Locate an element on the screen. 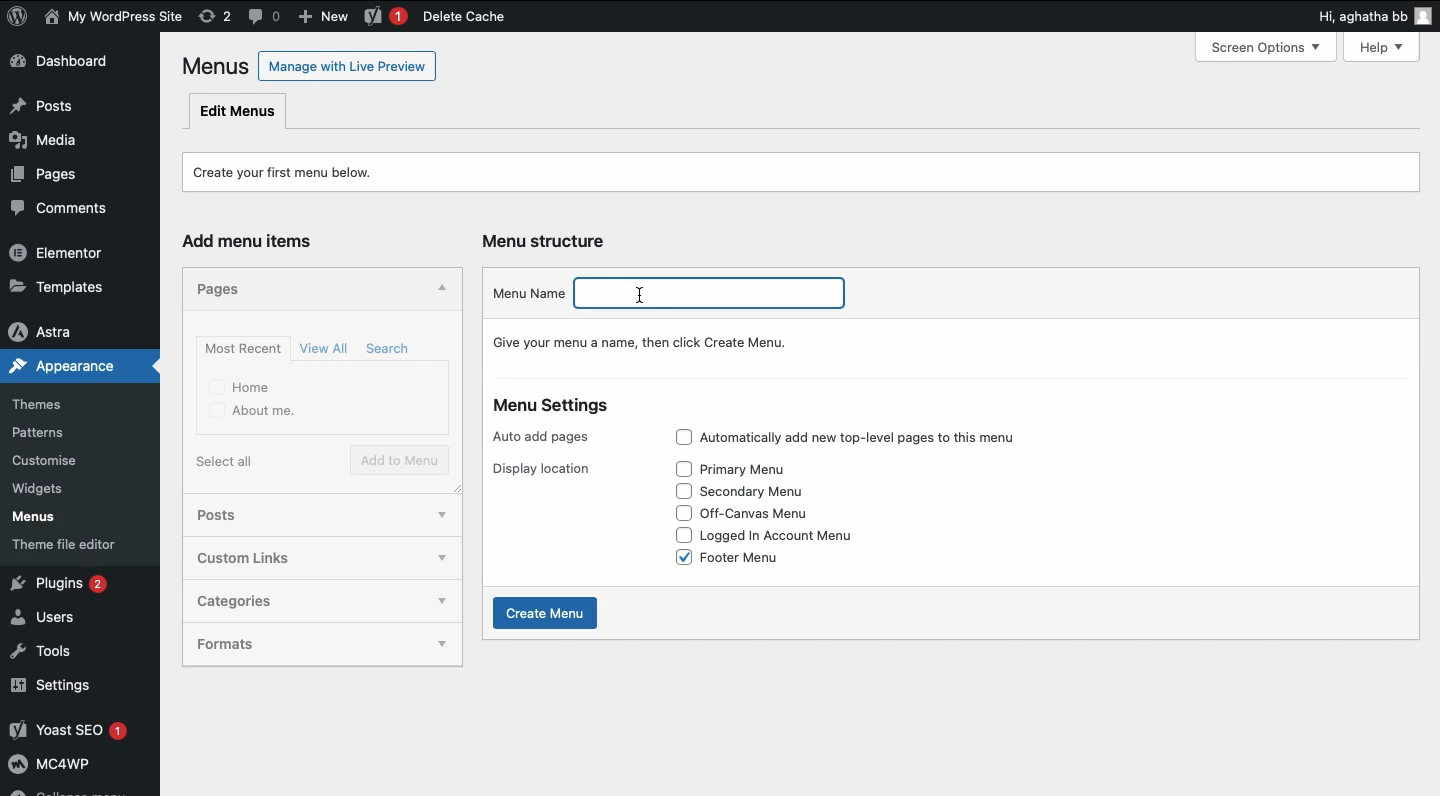  Menu structure is located at coordinates (548, 239).